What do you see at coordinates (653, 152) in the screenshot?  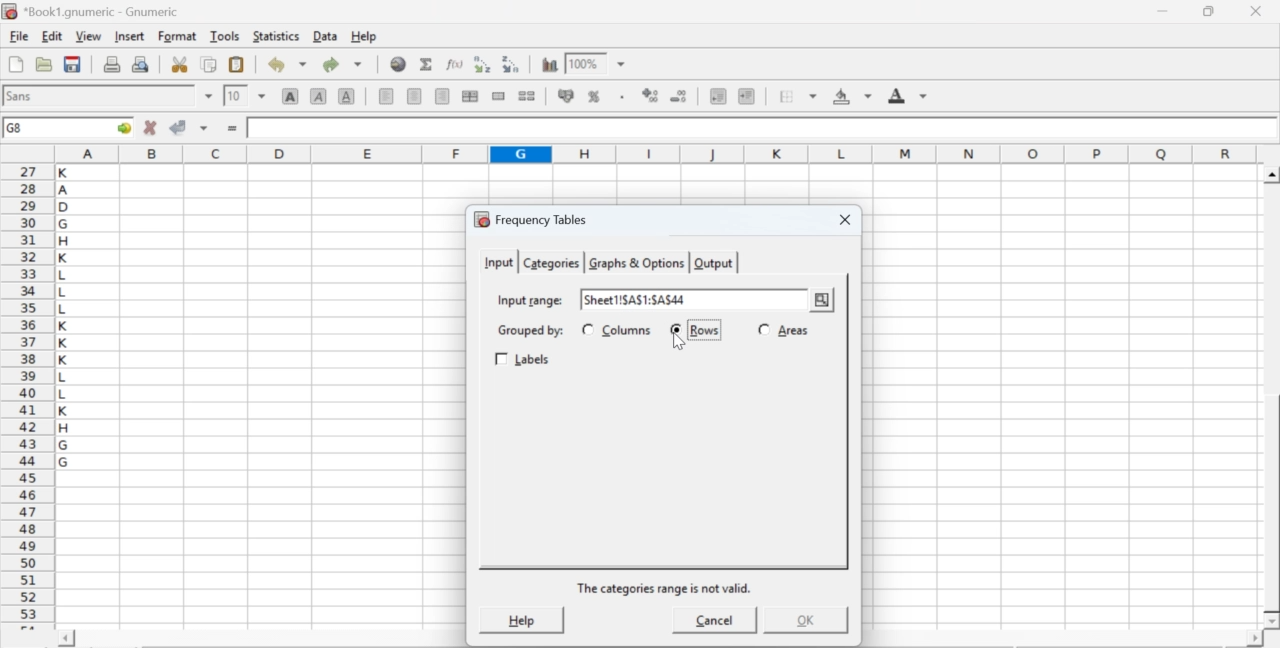 I see `column names` at bounding box center [653, 152].